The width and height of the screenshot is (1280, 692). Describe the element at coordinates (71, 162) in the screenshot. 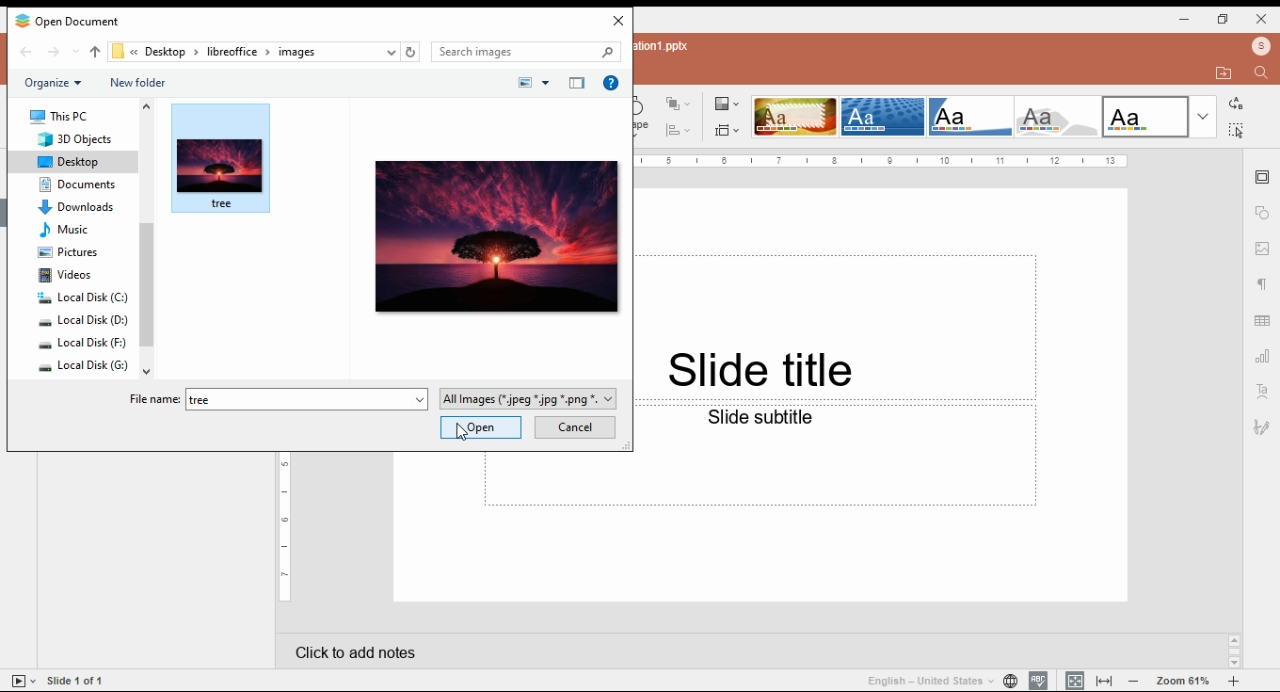

I see `desktop` at that location.